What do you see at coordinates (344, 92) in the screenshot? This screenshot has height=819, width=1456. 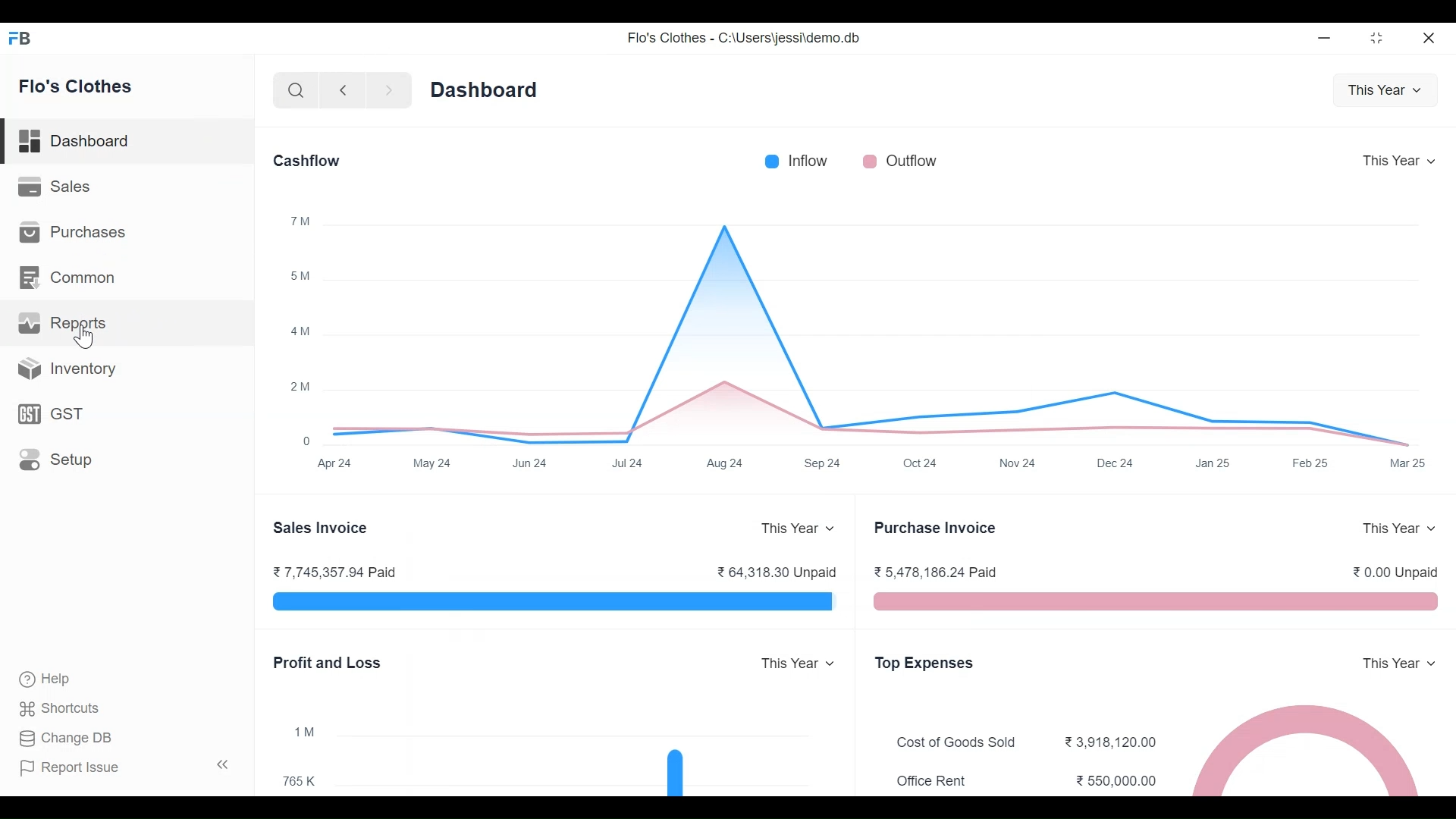 I see `backward` at bounding box center [344, 92].